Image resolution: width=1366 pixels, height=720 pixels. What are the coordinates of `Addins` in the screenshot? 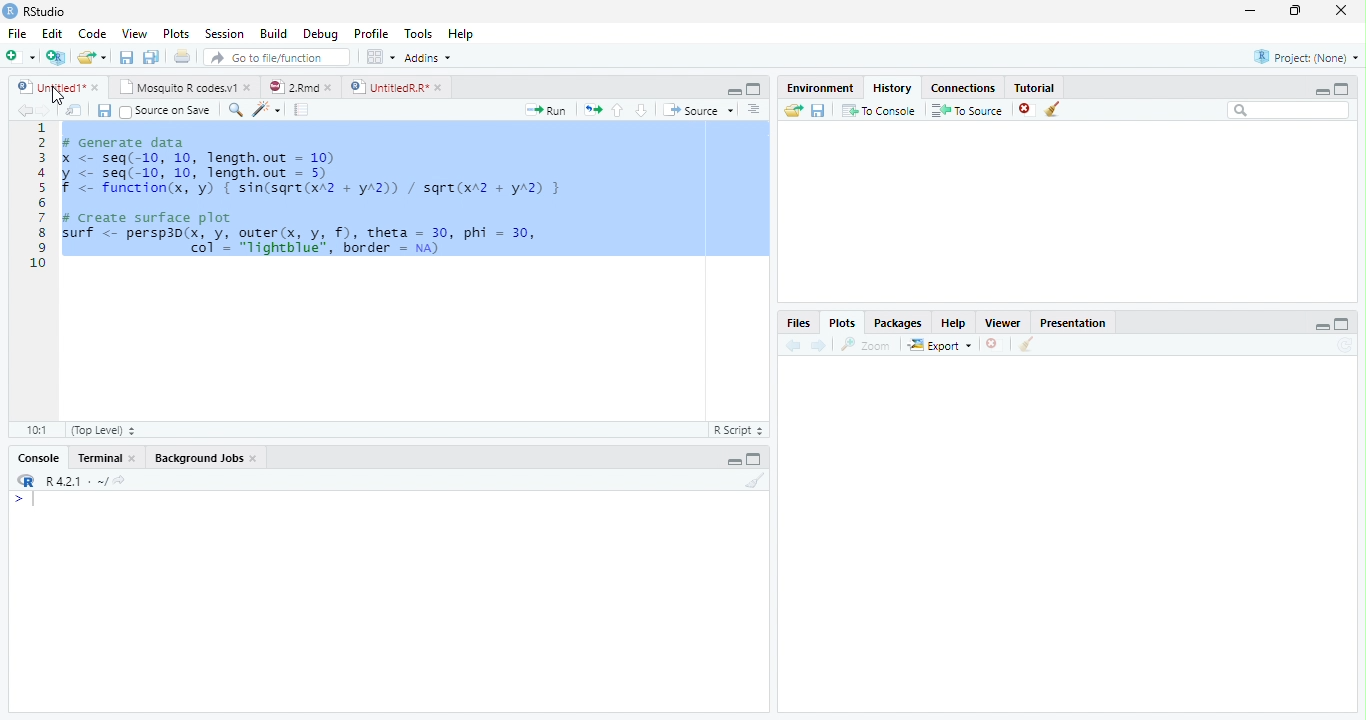 It's located at (428, 58).